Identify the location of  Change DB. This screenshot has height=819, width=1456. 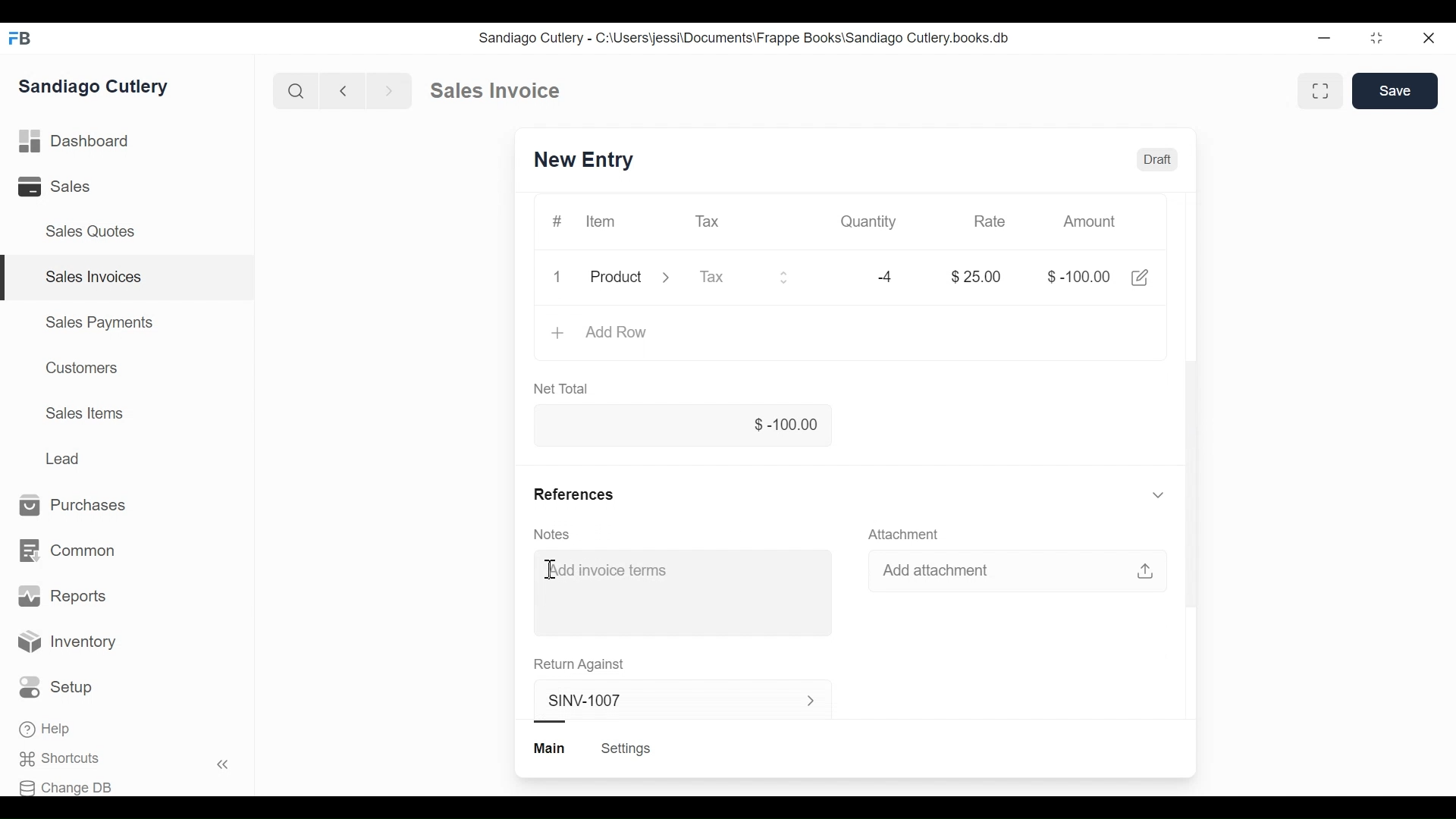
(67, 787).